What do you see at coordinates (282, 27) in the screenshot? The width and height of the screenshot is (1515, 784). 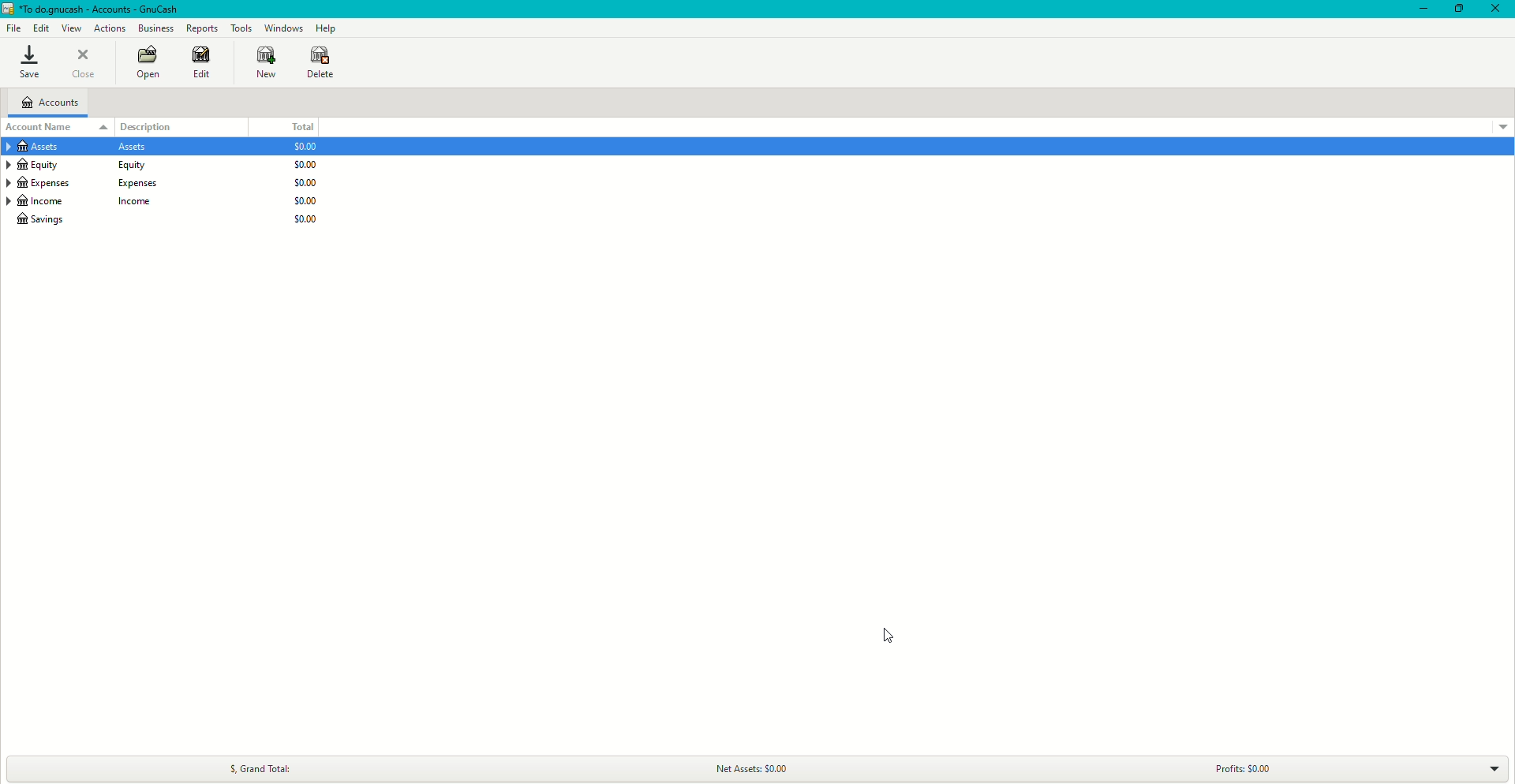 I see `Windows` at bounding box center [282, 27].